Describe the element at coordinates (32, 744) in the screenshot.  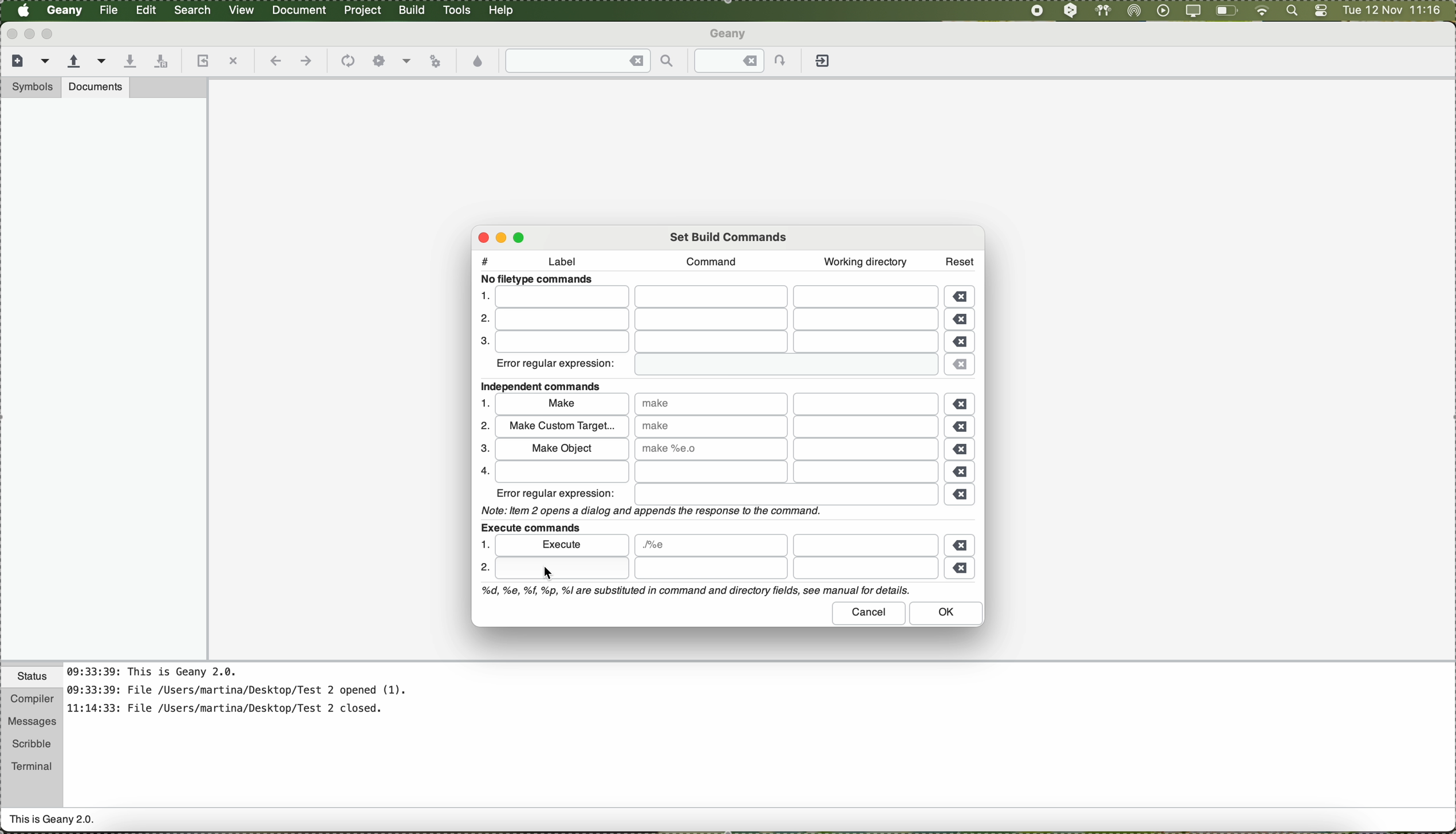
I see `scribble` at that location.